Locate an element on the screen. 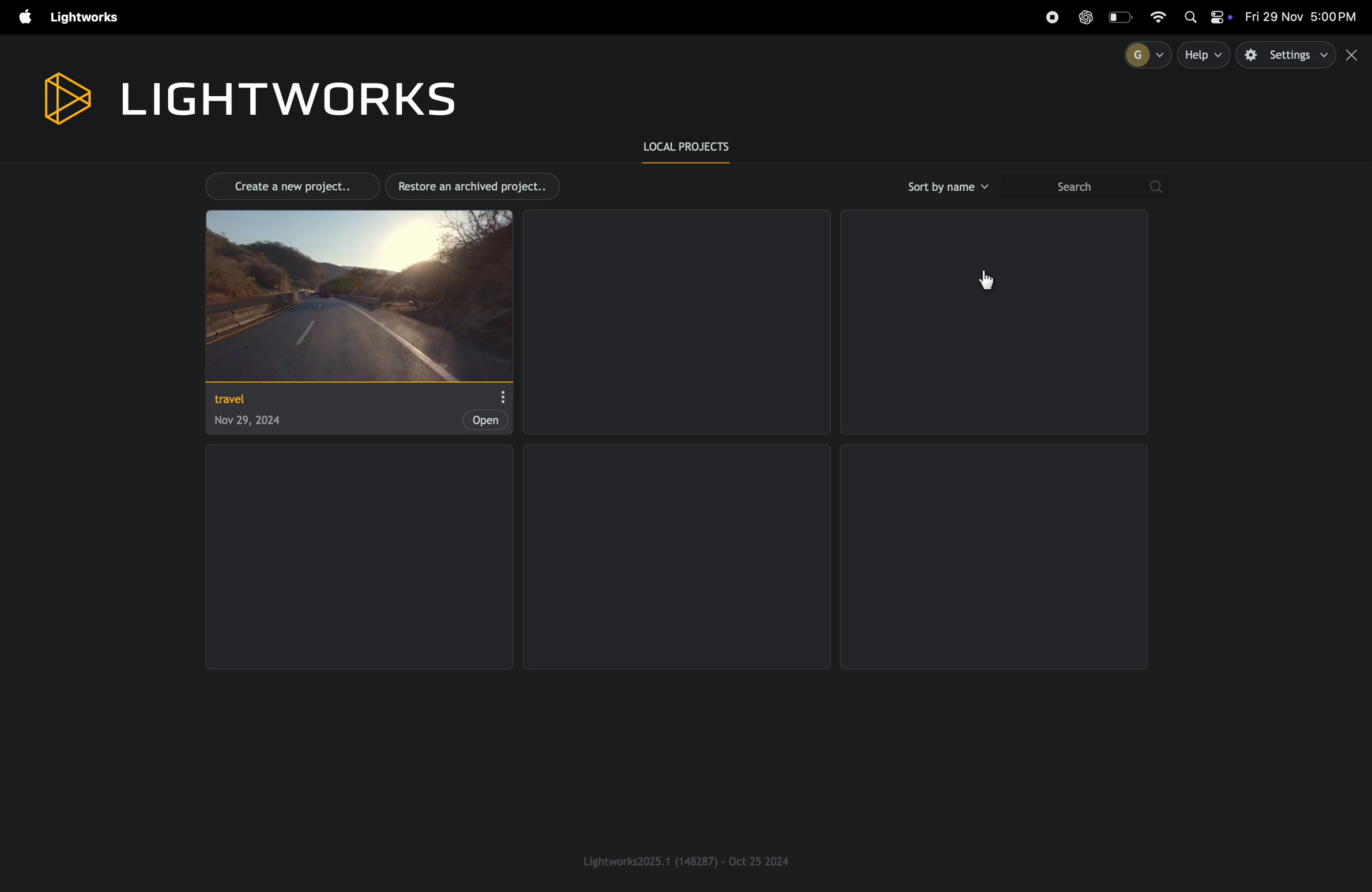  close is located at coordinates (1354, 55).